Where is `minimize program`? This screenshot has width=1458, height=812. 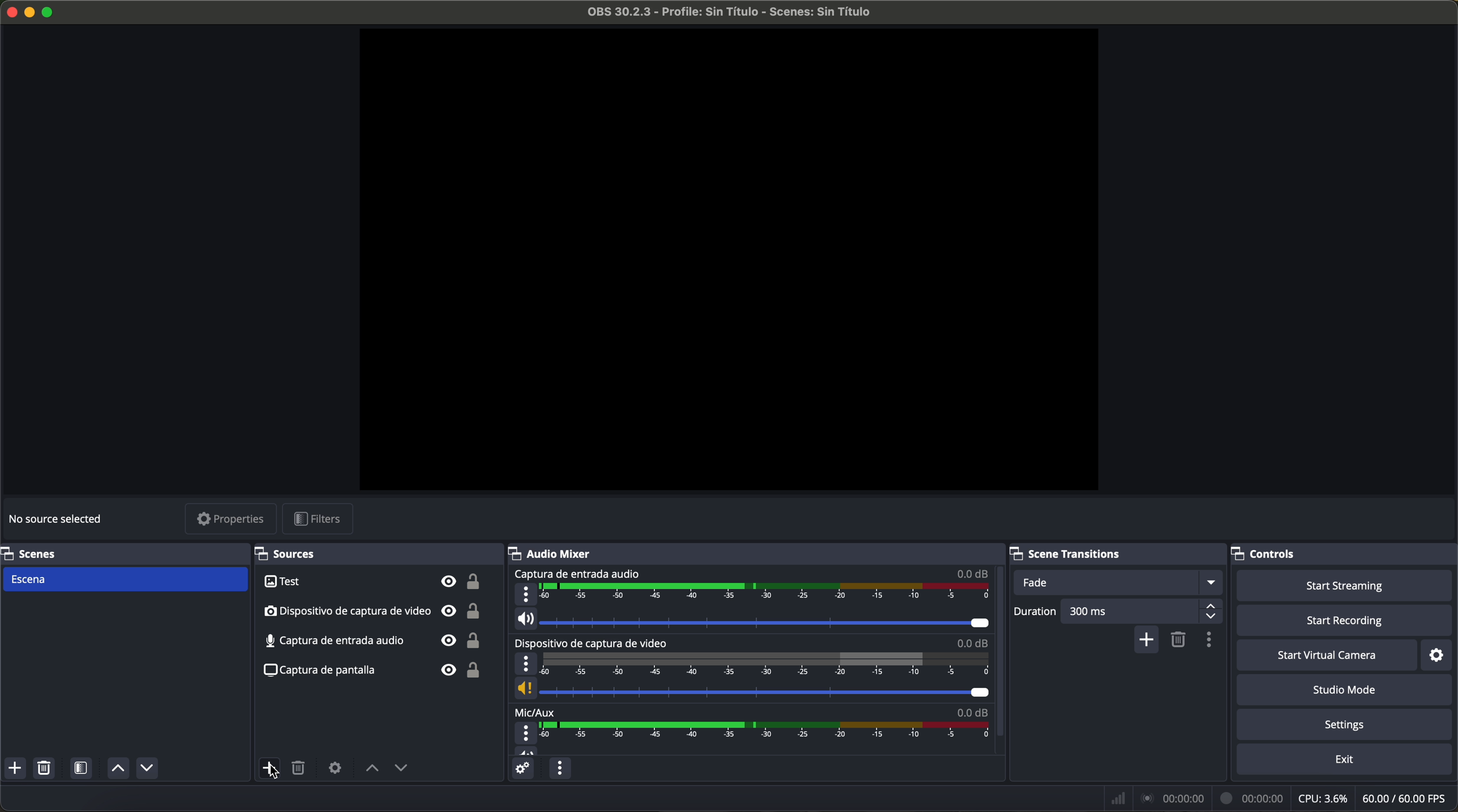
minimize program is located at coordinates (29, 14).